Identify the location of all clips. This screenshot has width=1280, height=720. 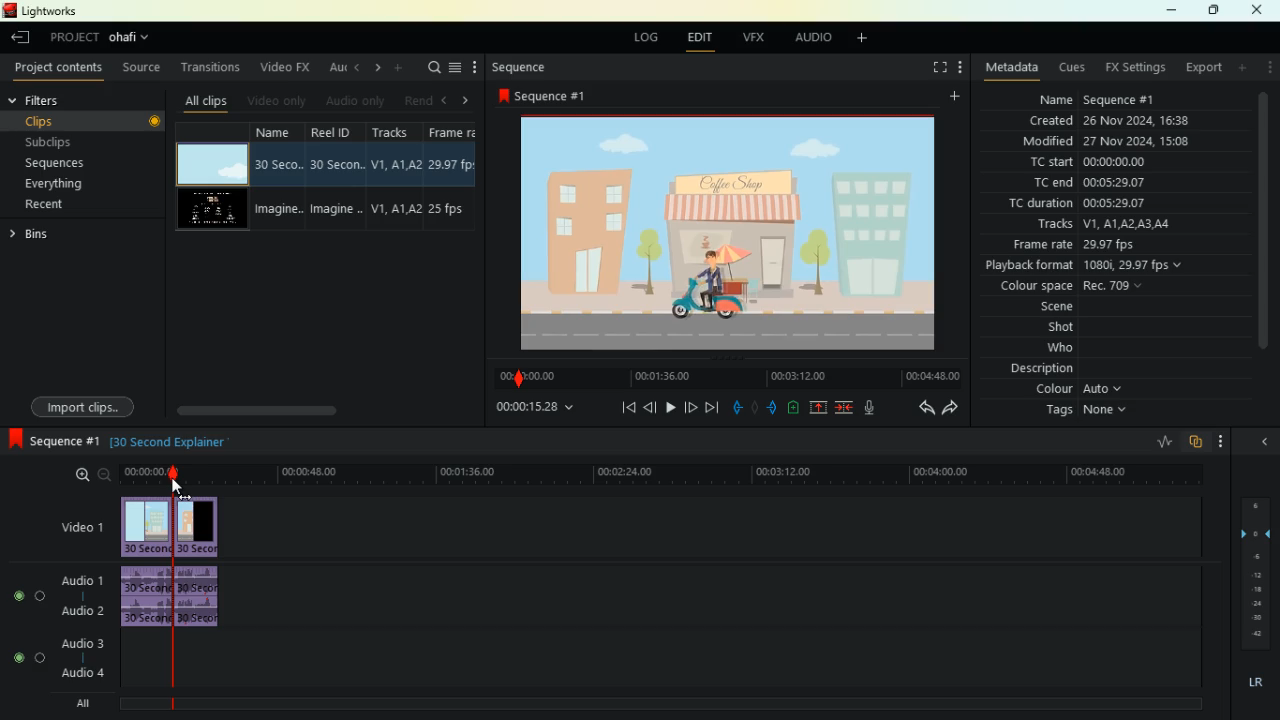
(208, 102).